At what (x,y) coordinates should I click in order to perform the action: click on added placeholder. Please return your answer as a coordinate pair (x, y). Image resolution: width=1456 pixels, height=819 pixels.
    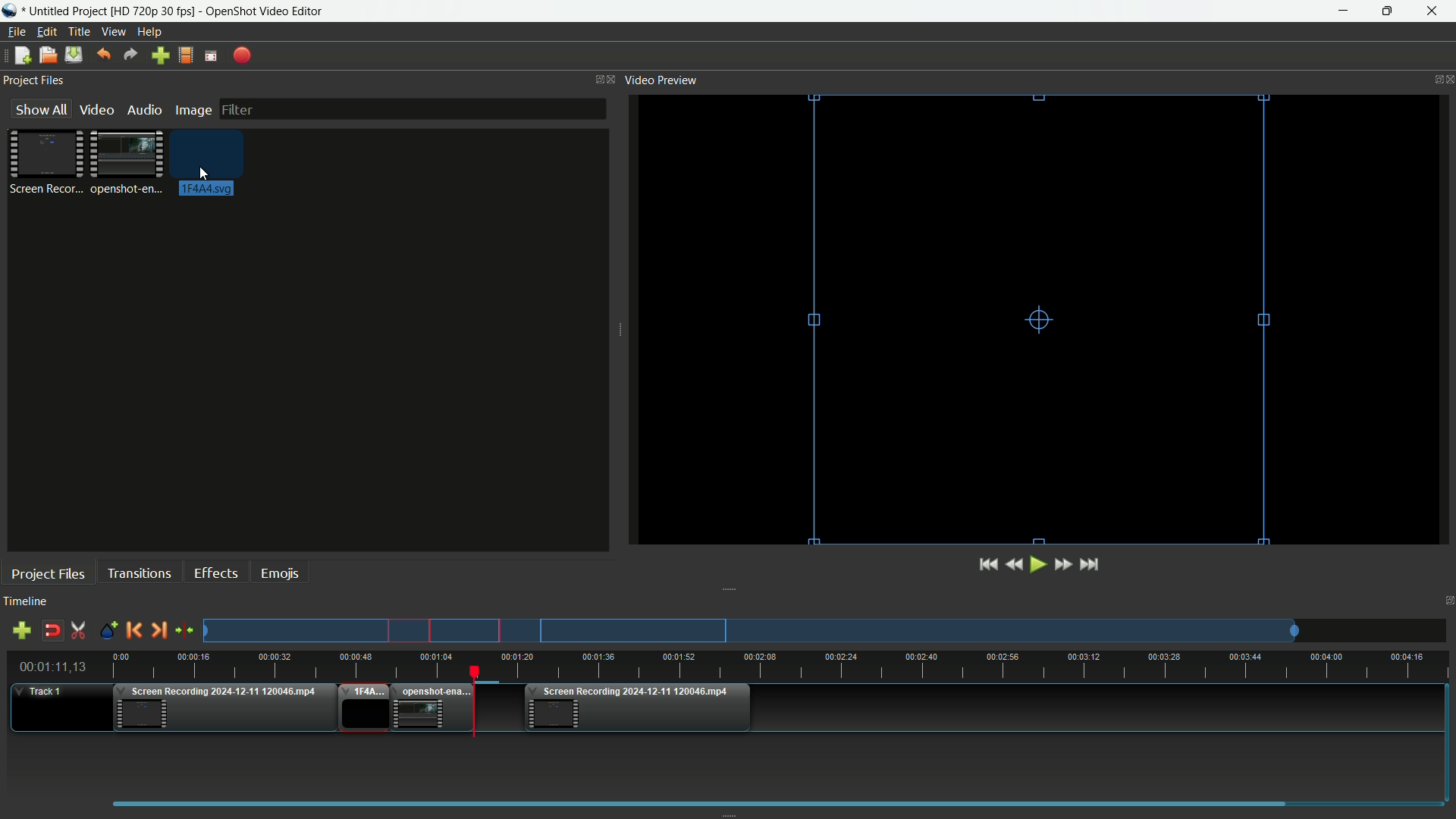
    Looking at the image, I should click on (363, 709).